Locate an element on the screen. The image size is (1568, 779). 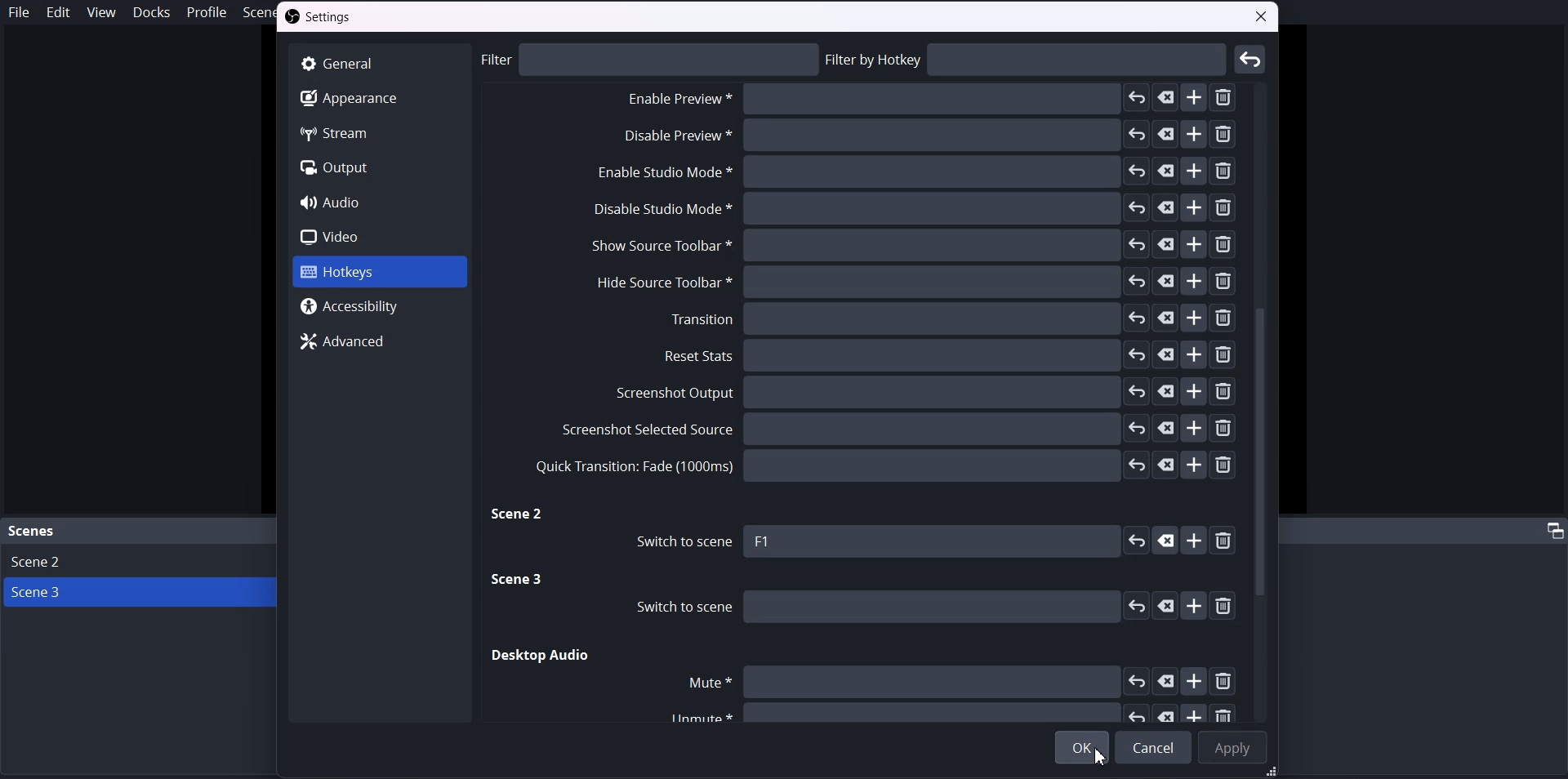
Edit is located at coordinates (58, 12).